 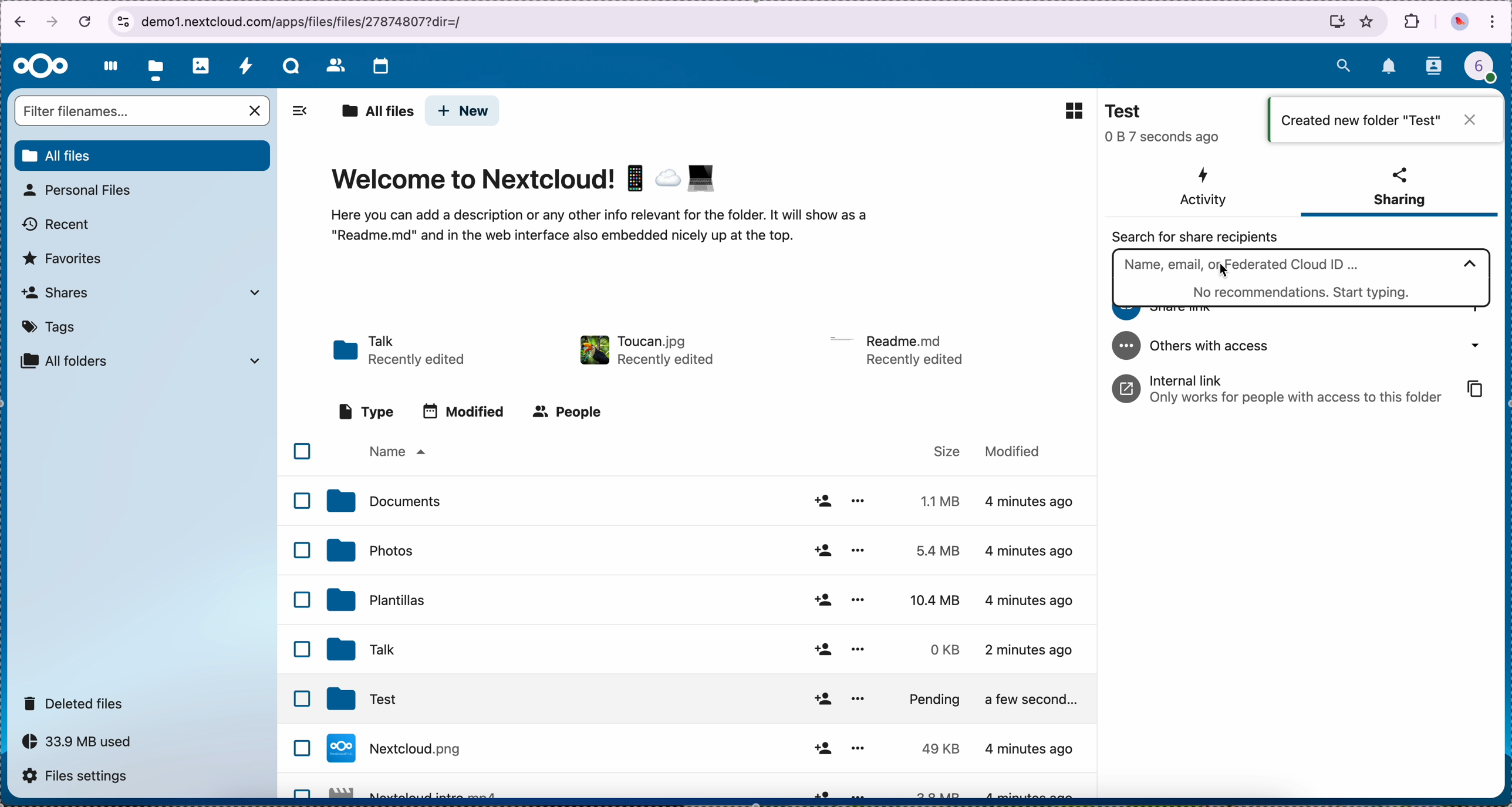 What do you see at coordinates (1020, 453) in the screenshot?
I see `modified` at bounding box center [1020, 453].